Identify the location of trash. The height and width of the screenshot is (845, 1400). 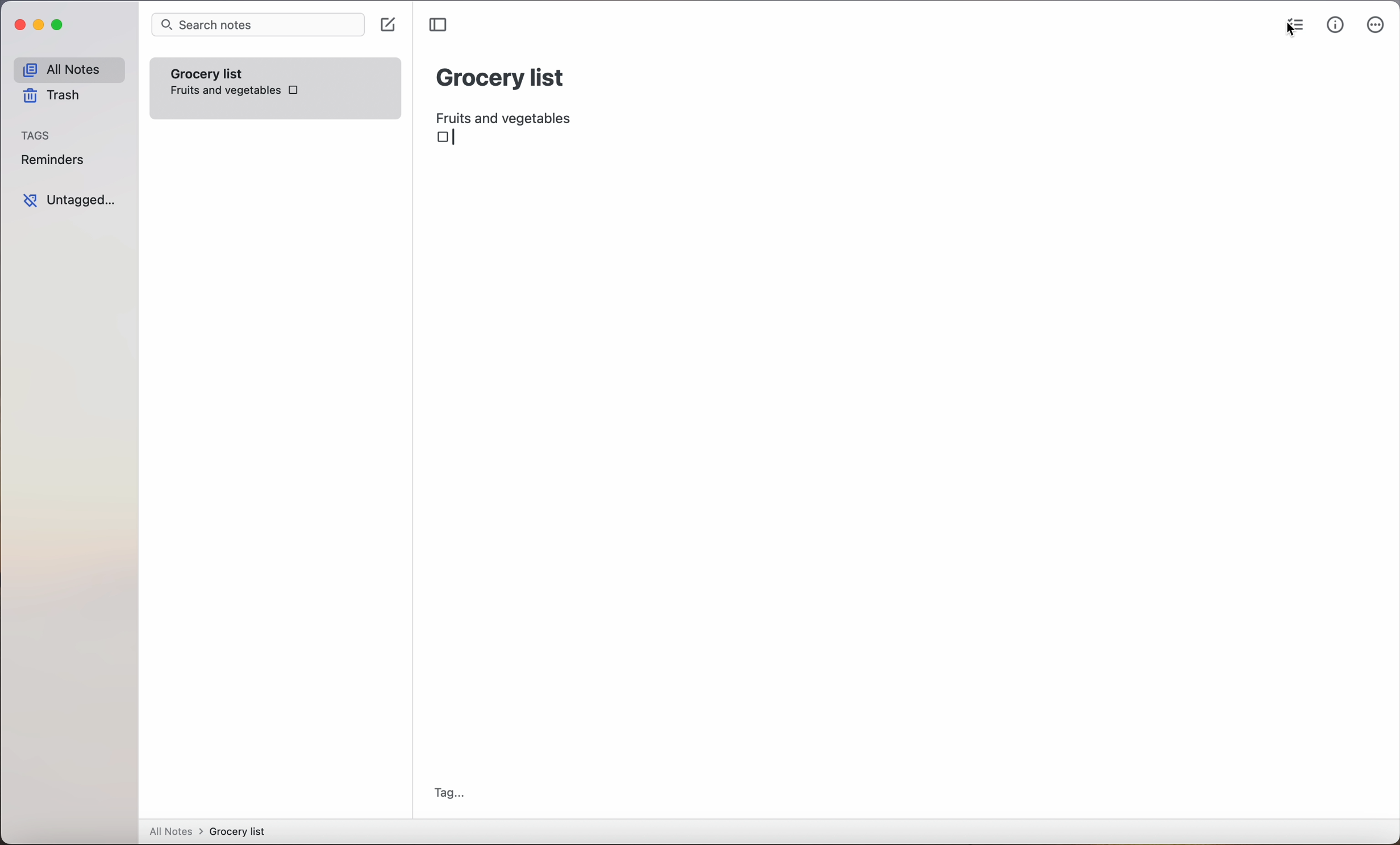
(50, 98).